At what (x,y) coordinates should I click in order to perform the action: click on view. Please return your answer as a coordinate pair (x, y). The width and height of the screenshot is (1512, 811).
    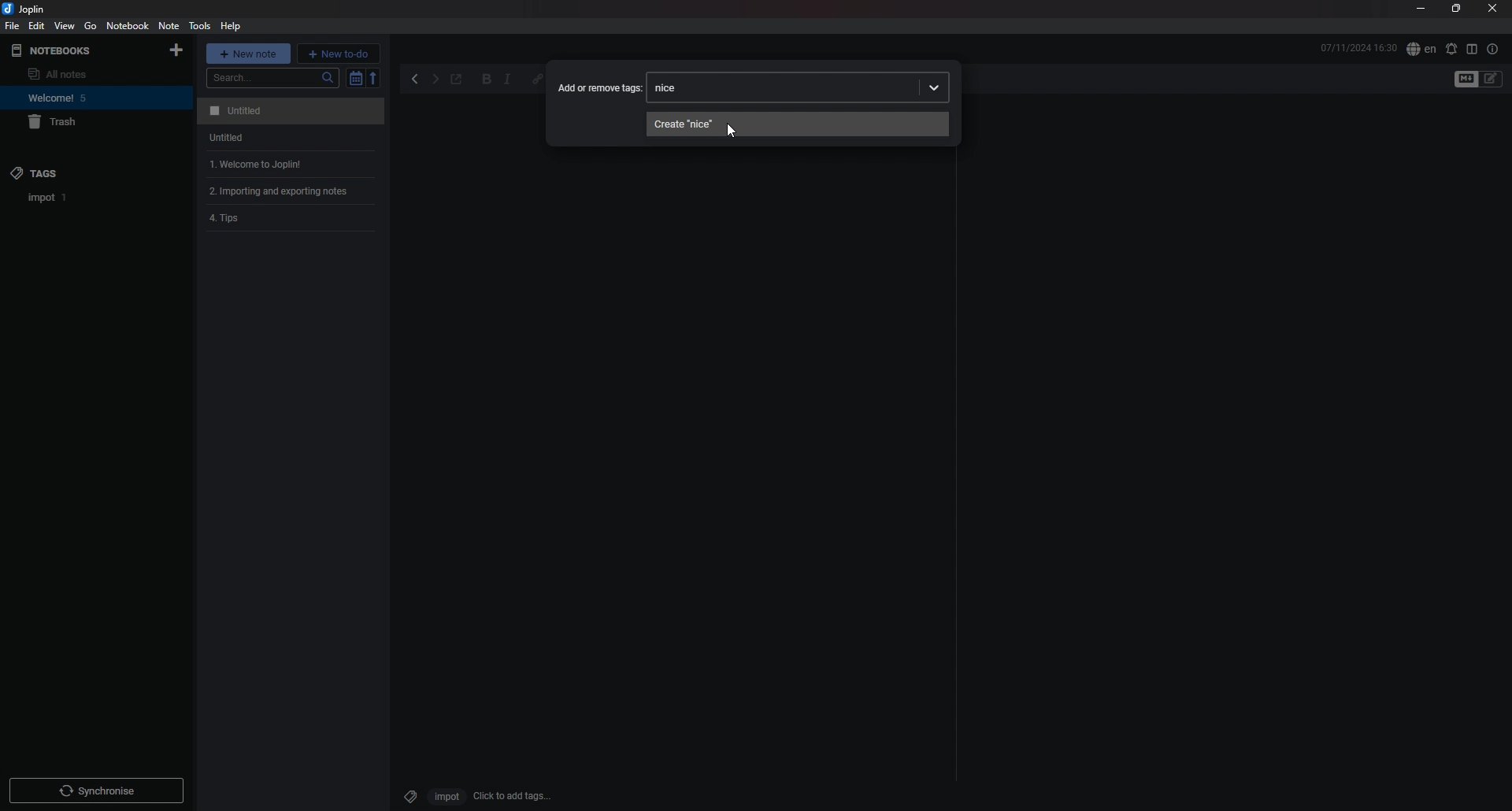
    Looking at the image, I should click on (65, 26).